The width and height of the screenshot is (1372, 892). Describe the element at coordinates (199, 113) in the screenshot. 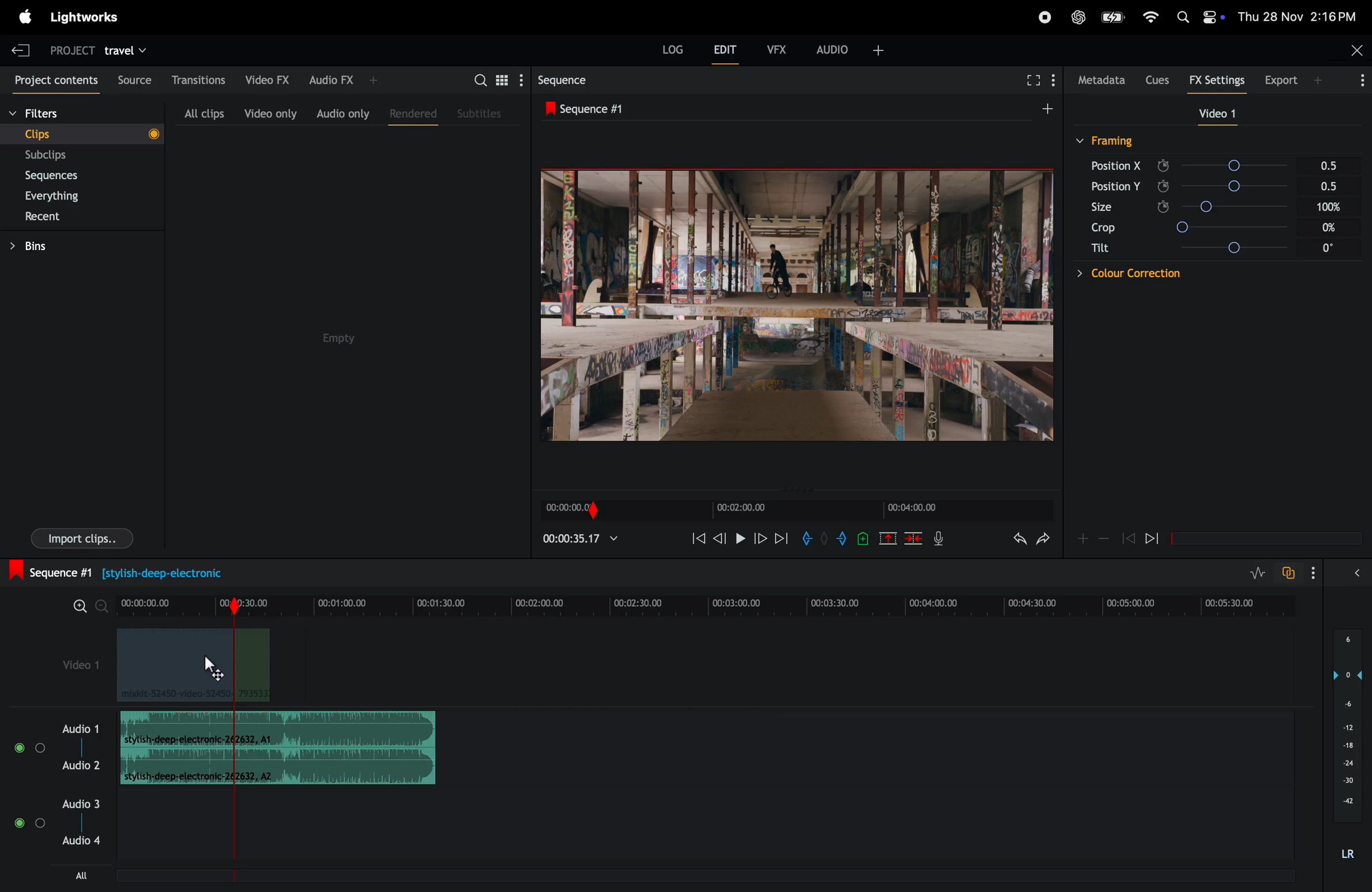

I see `all clips` at that location.